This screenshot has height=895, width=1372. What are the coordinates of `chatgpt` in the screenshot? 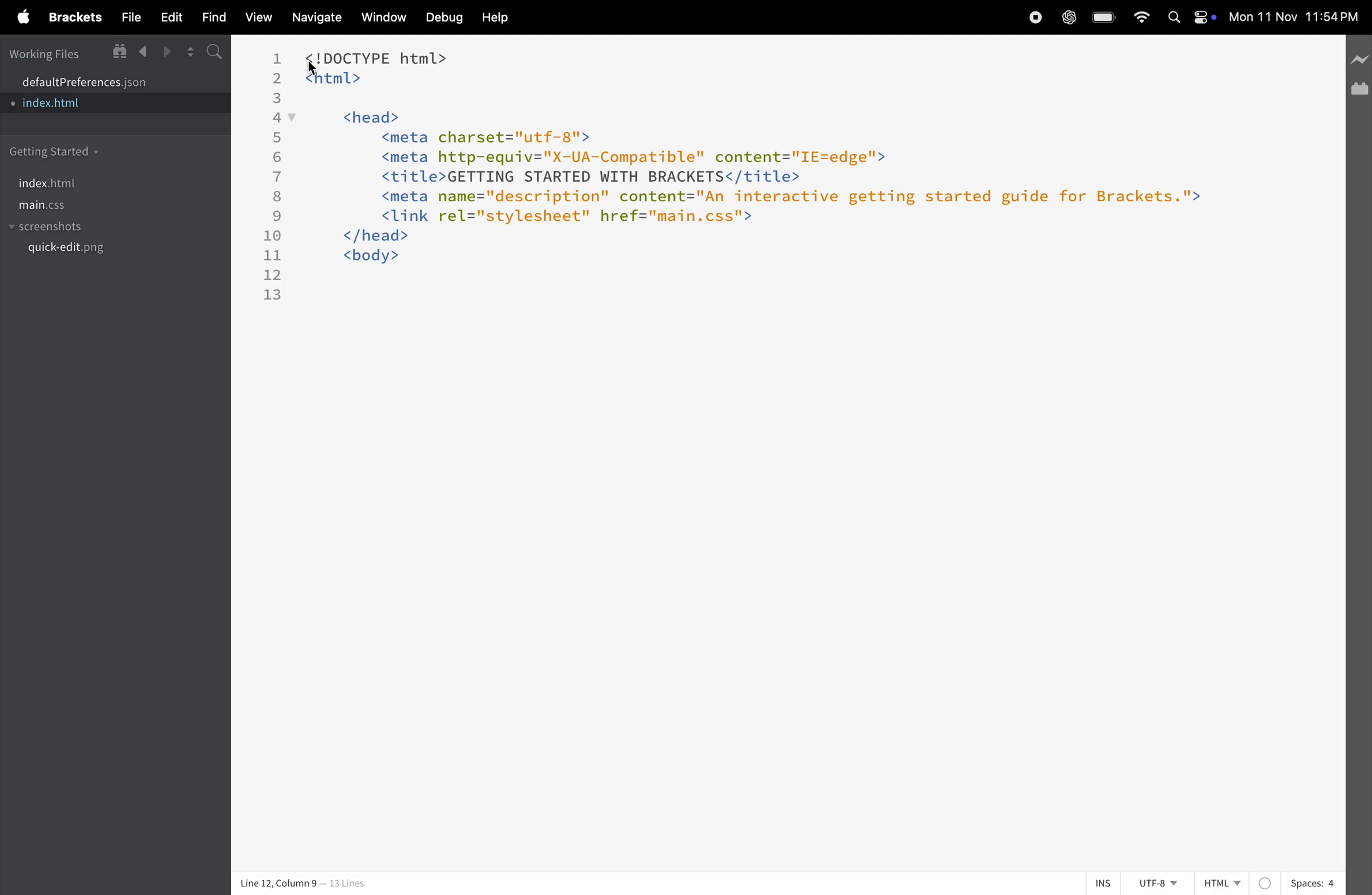 It's located at (1069, 17).